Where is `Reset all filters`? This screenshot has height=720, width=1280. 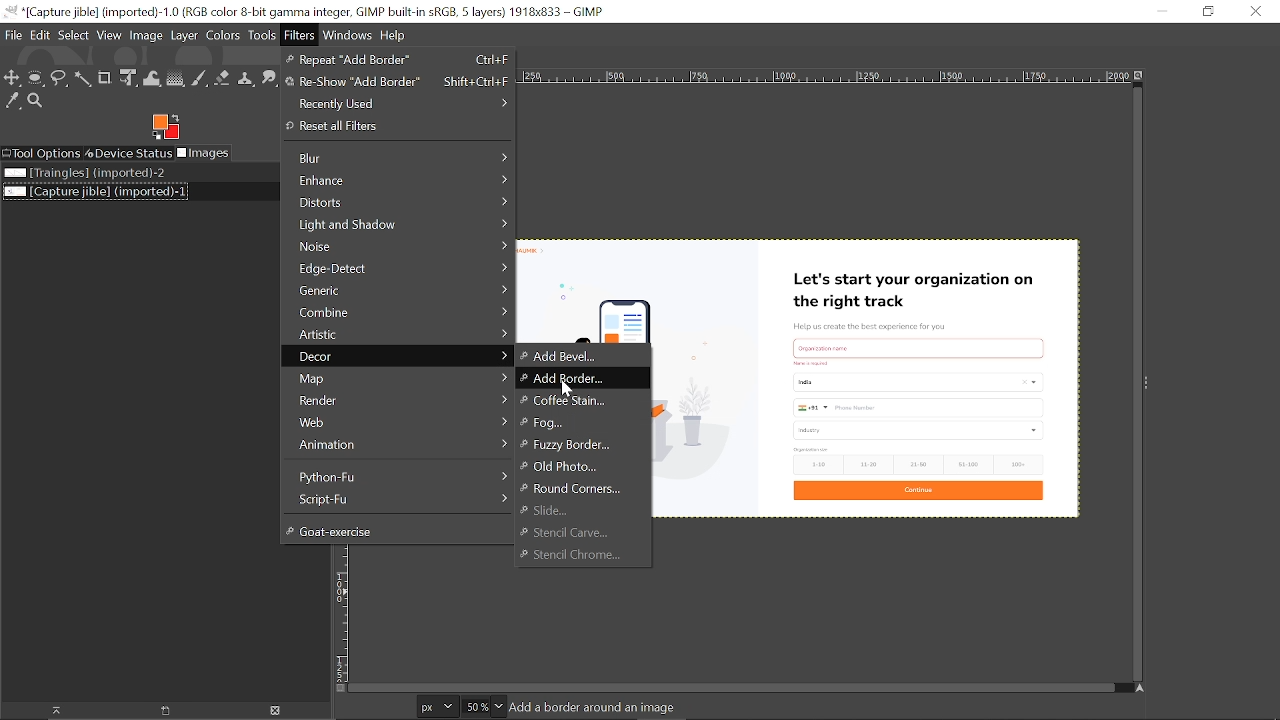
Reset all filters is located at coordinates (392, 127).